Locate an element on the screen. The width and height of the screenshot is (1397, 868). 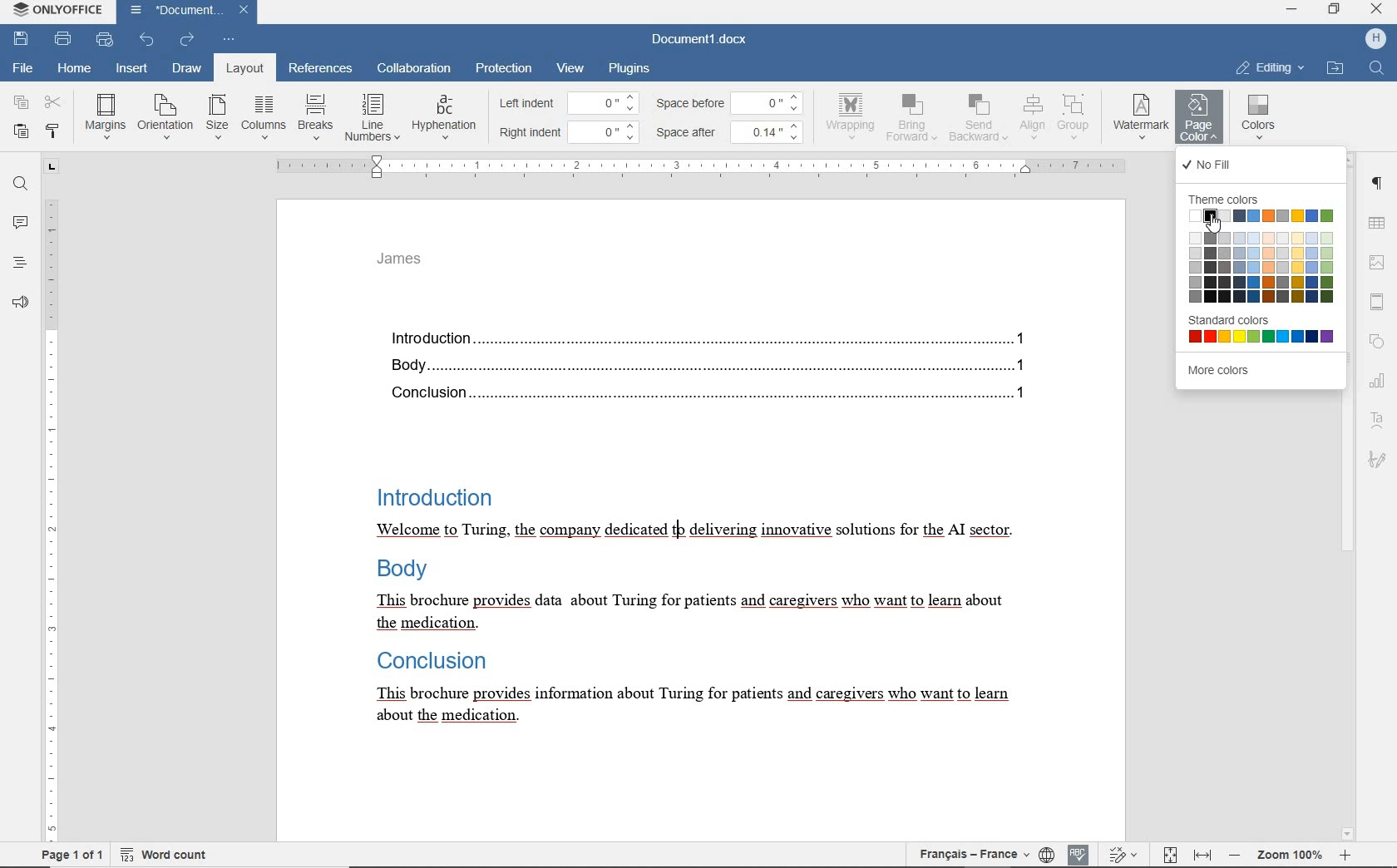
document name is located at coordinates (701, 41).